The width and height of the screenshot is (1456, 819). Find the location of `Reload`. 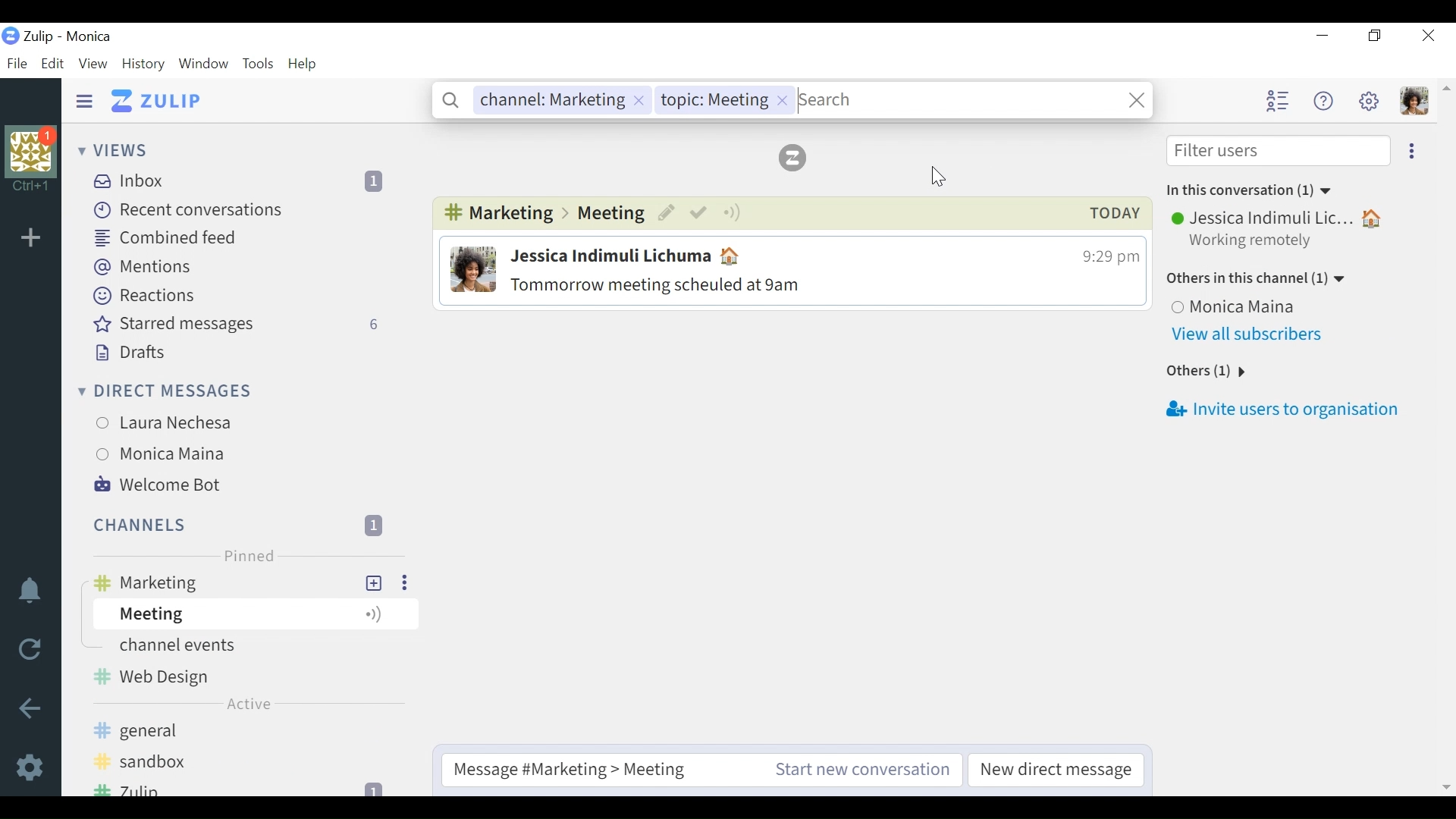

Reload is located at coordinates (28, 651).